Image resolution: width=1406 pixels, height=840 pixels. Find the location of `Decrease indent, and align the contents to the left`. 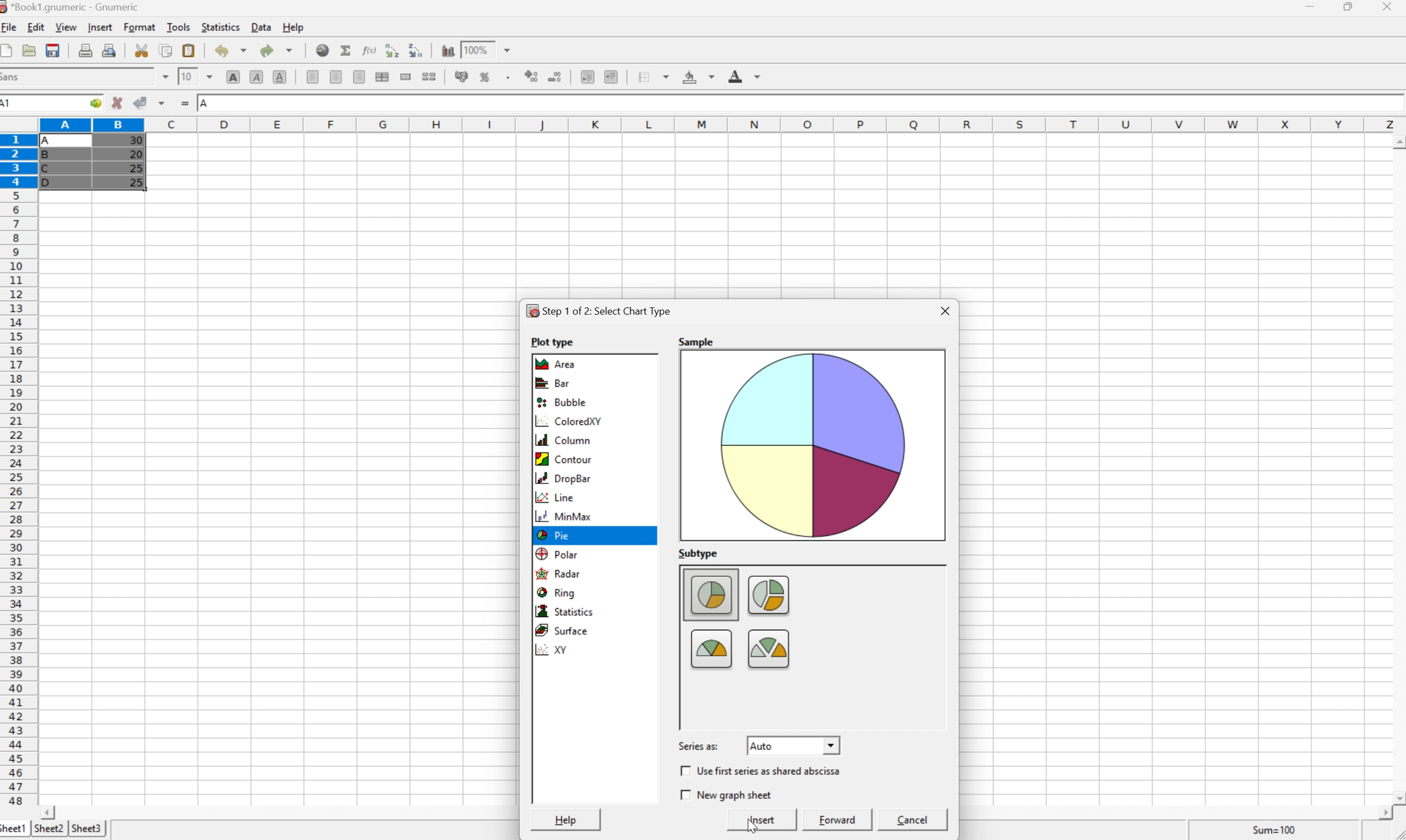

Decrease indent, and align the contents to the left is located at coordinates (587, 78).